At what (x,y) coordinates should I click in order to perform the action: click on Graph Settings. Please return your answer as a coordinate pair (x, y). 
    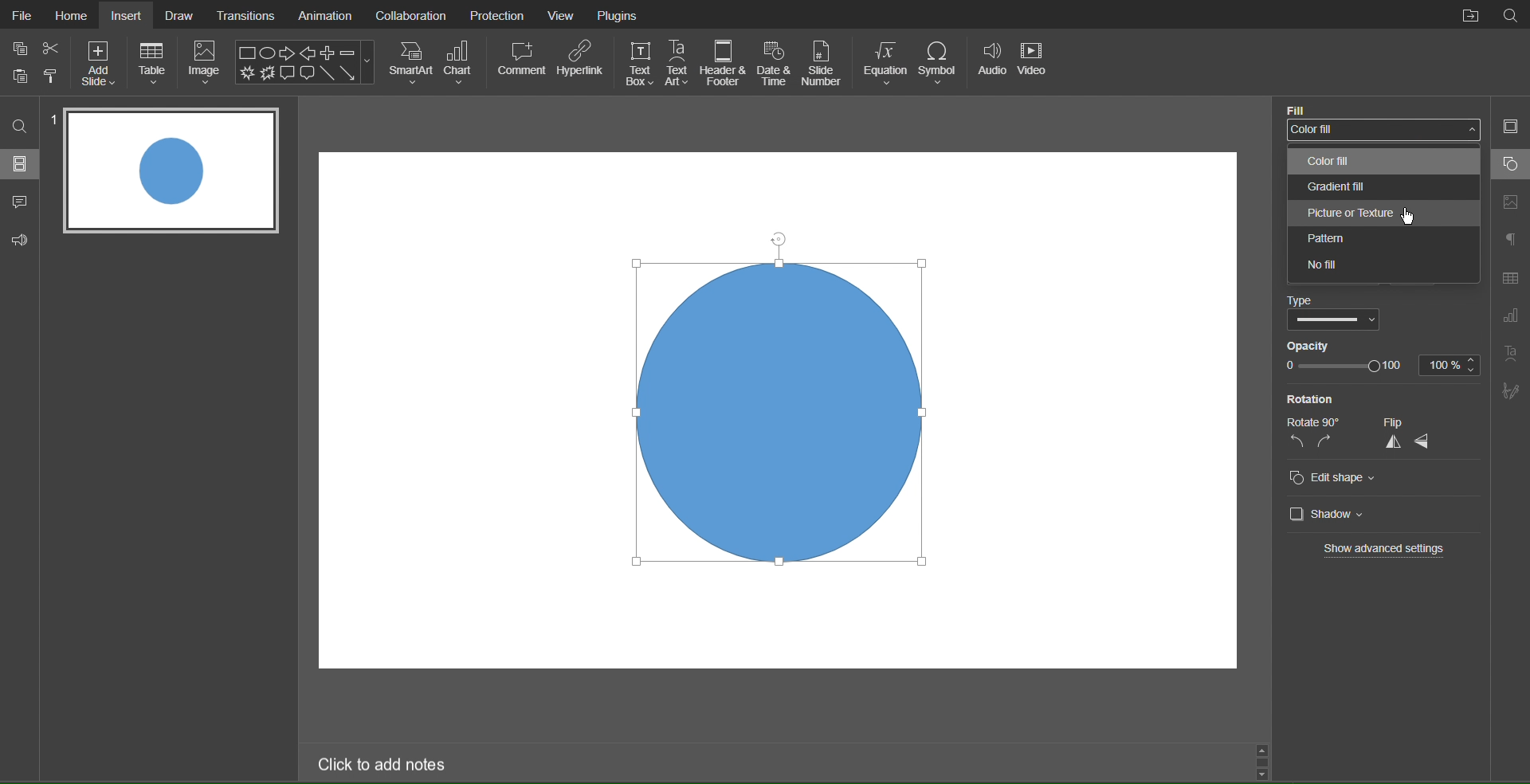
    Looking at the image, I should click on (1510, 318).